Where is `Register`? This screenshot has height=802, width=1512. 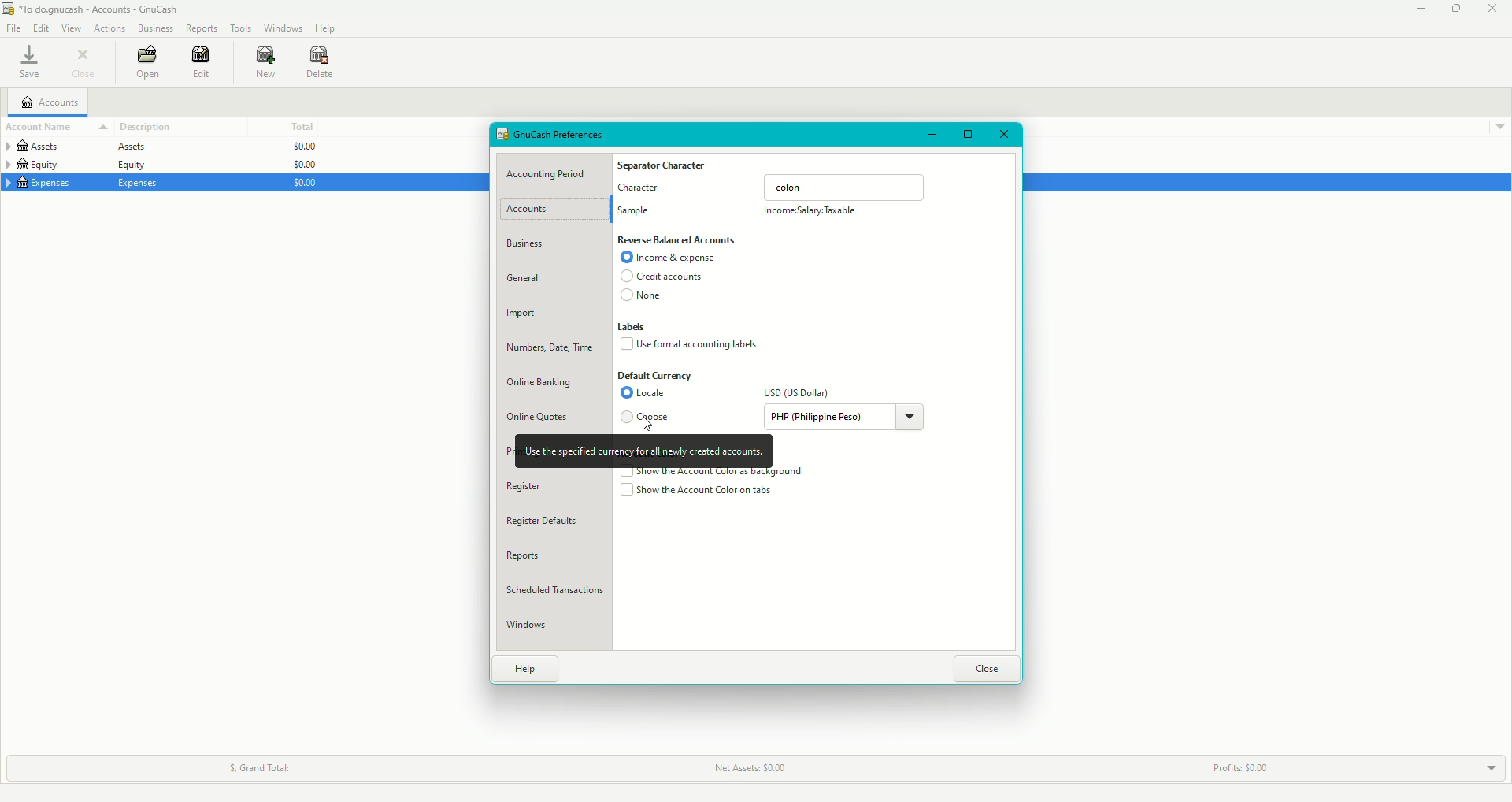
Register is located at coordinates (525, 487).